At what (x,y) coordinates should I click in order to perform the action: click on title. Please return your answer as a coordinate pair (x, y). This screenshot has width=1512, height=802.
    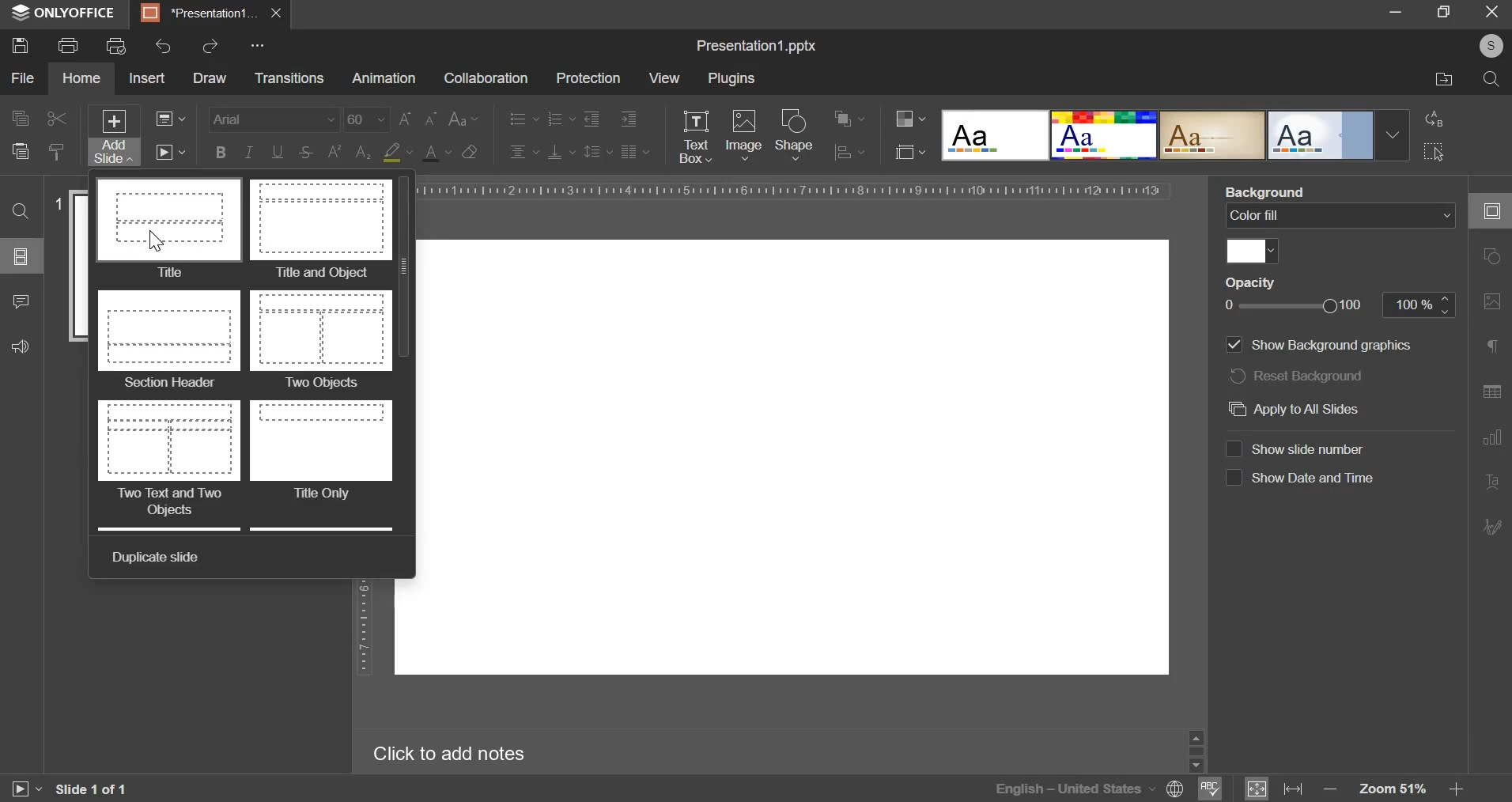
    Looking at the image, I should click on (169, 229).